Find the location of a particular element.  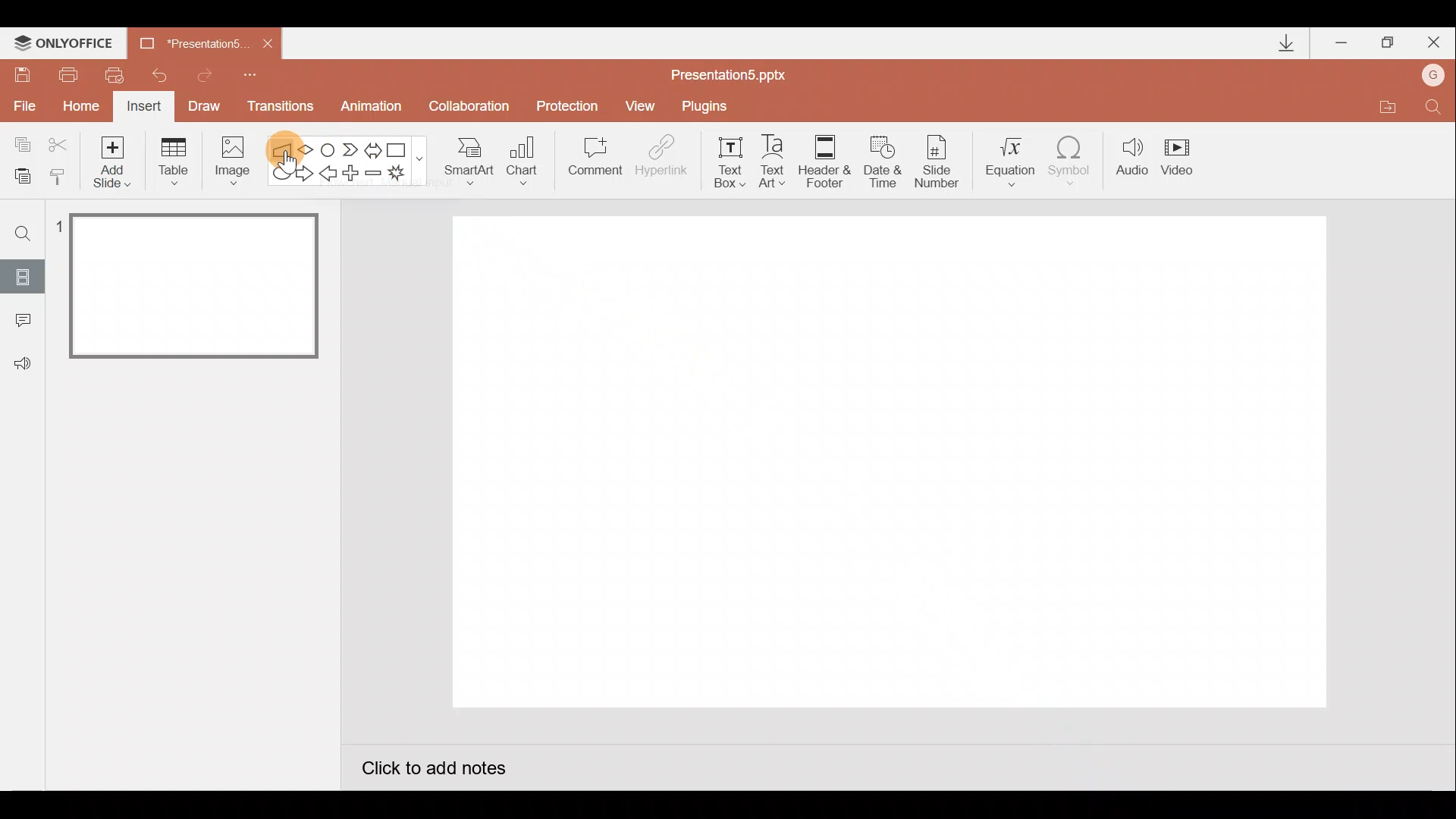

Left right arrow is located at coordinates (375, 147).